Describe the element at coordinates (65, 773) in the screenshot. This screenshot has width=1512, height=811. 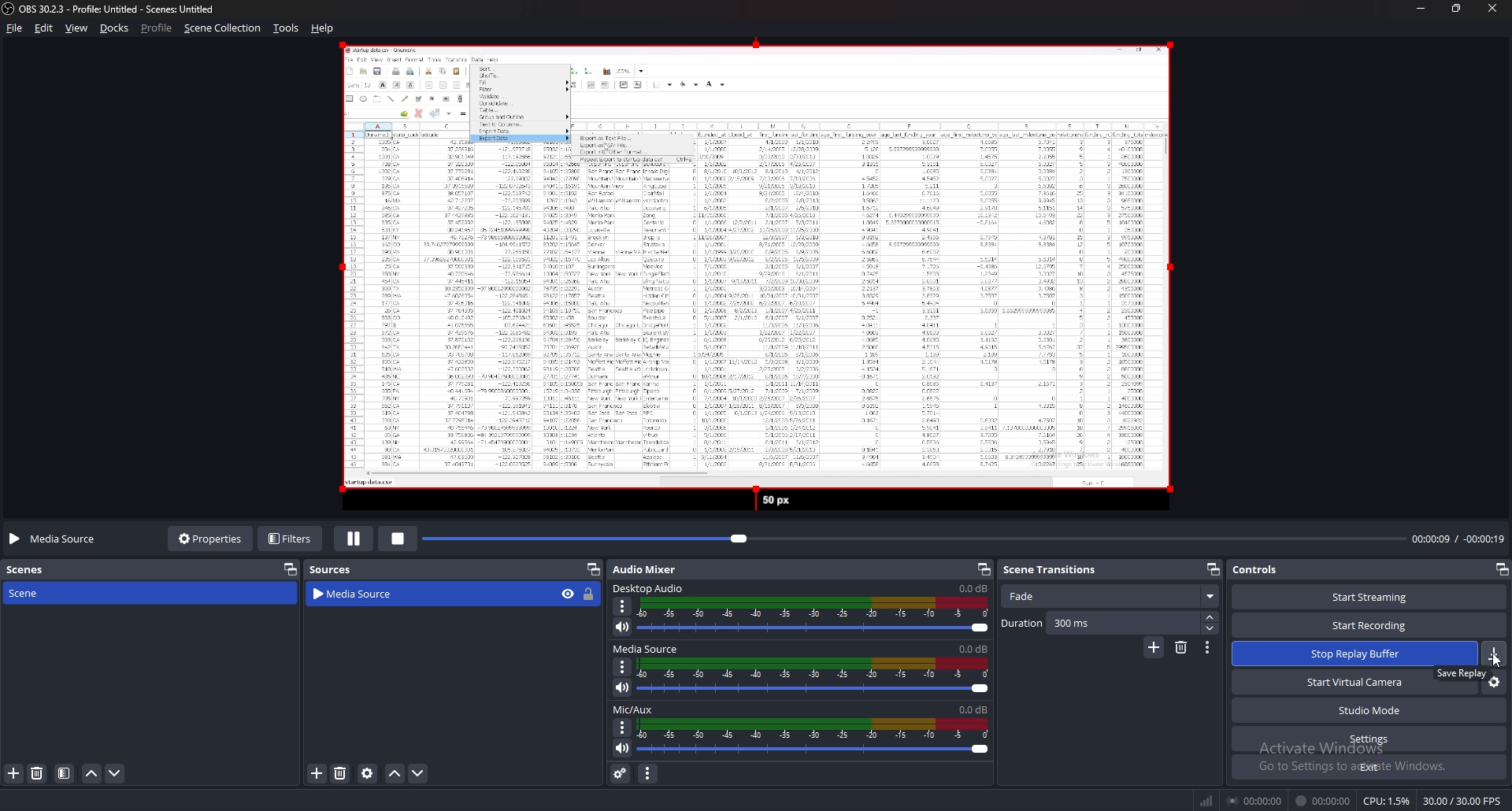
I see `filter` at that location.